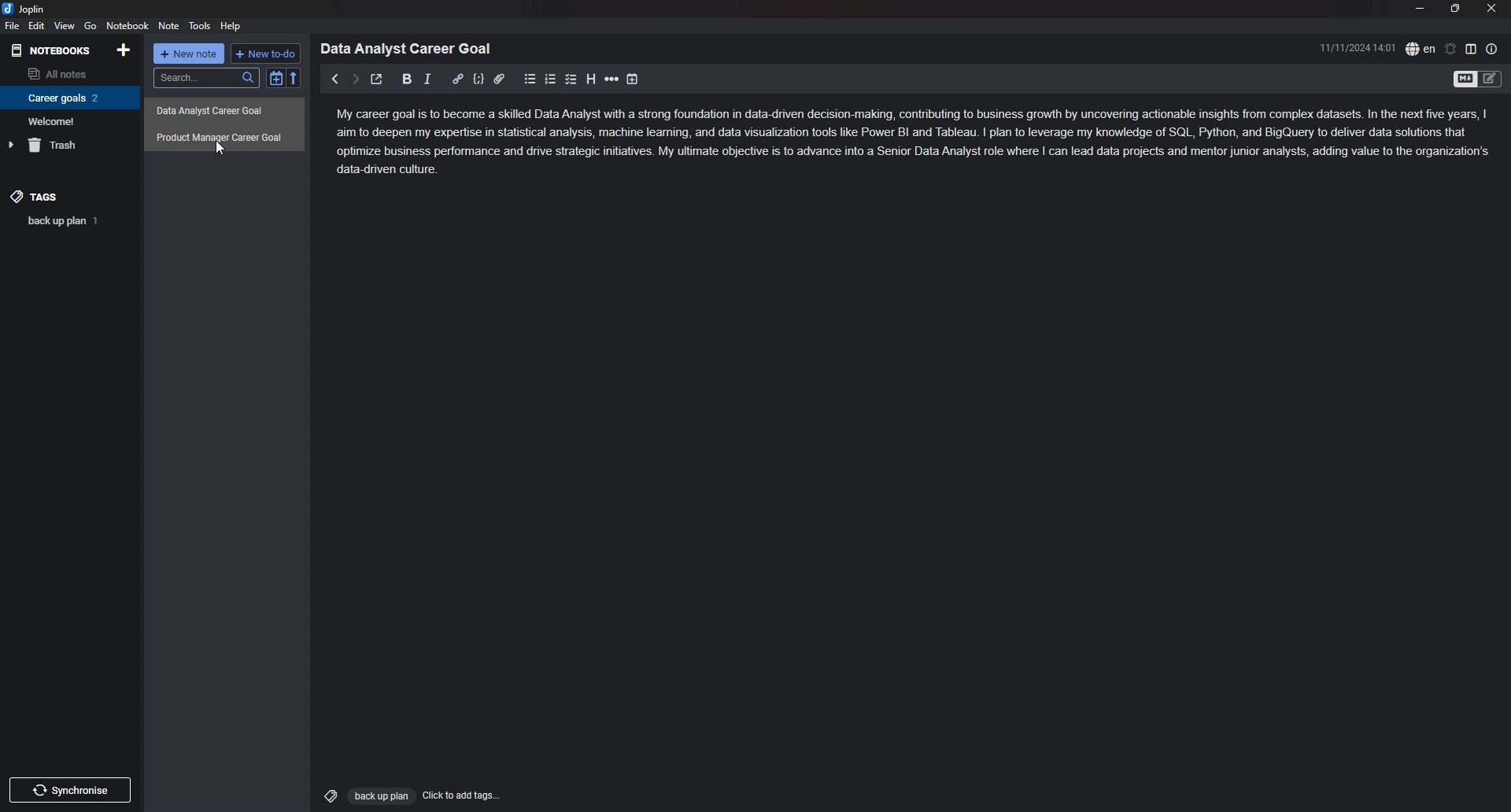 This screenshot has height=812, width=1511. What do you see at coordinates (355, 79) in the screenshot?
I see `next` at bounding box center [355, 79].